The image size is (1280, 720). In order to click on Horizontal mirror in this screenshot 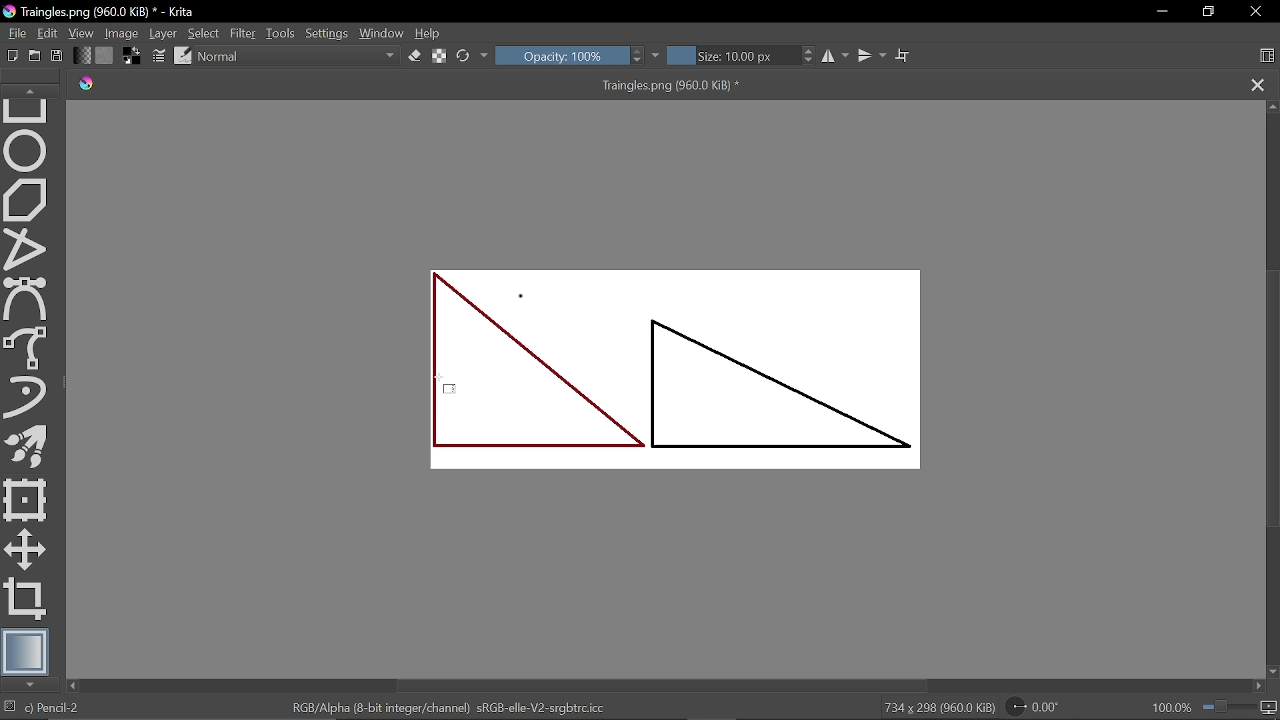, I will do `click(833, 58)`.